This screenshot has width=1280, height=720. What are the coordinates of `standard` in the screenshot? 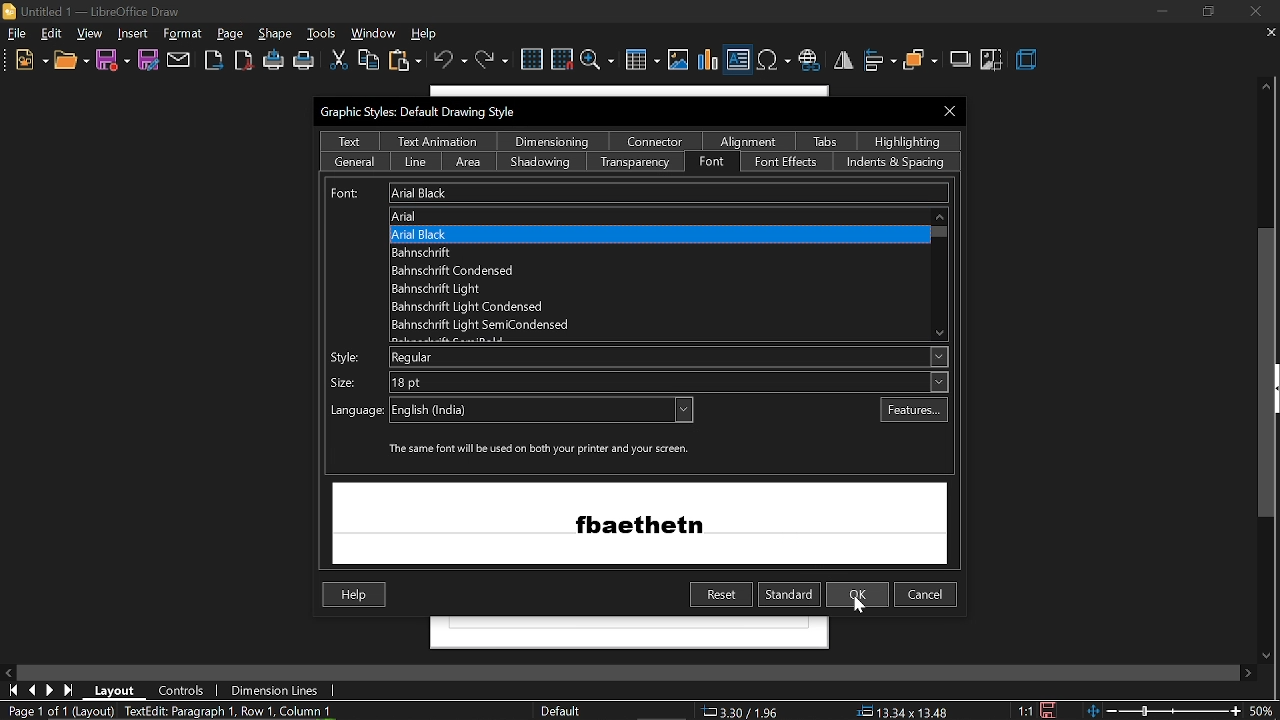 It's located at (789, 596).